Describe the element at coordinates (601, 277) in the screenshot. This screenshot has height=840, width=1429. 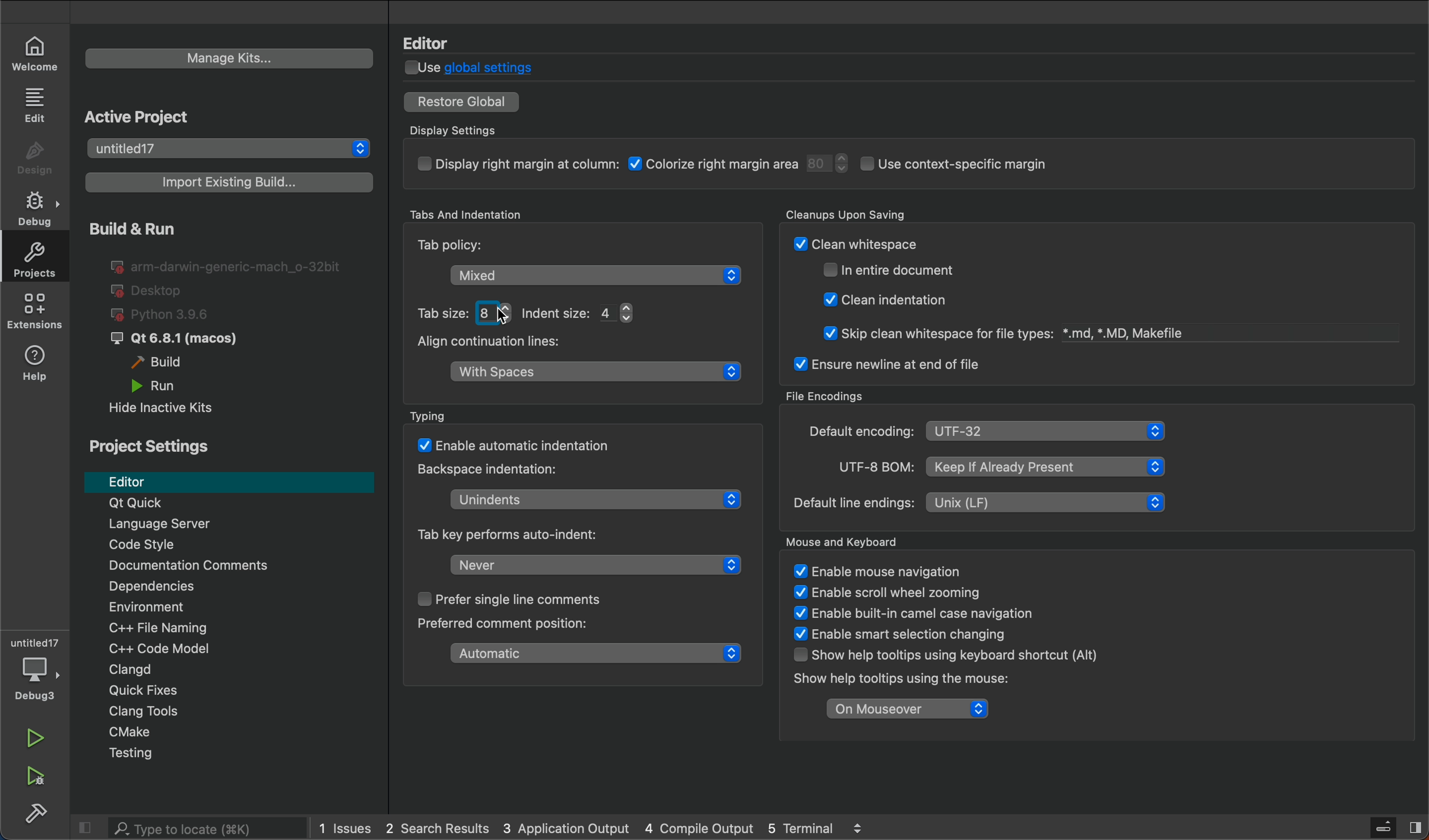
I see `selected type` at that location.